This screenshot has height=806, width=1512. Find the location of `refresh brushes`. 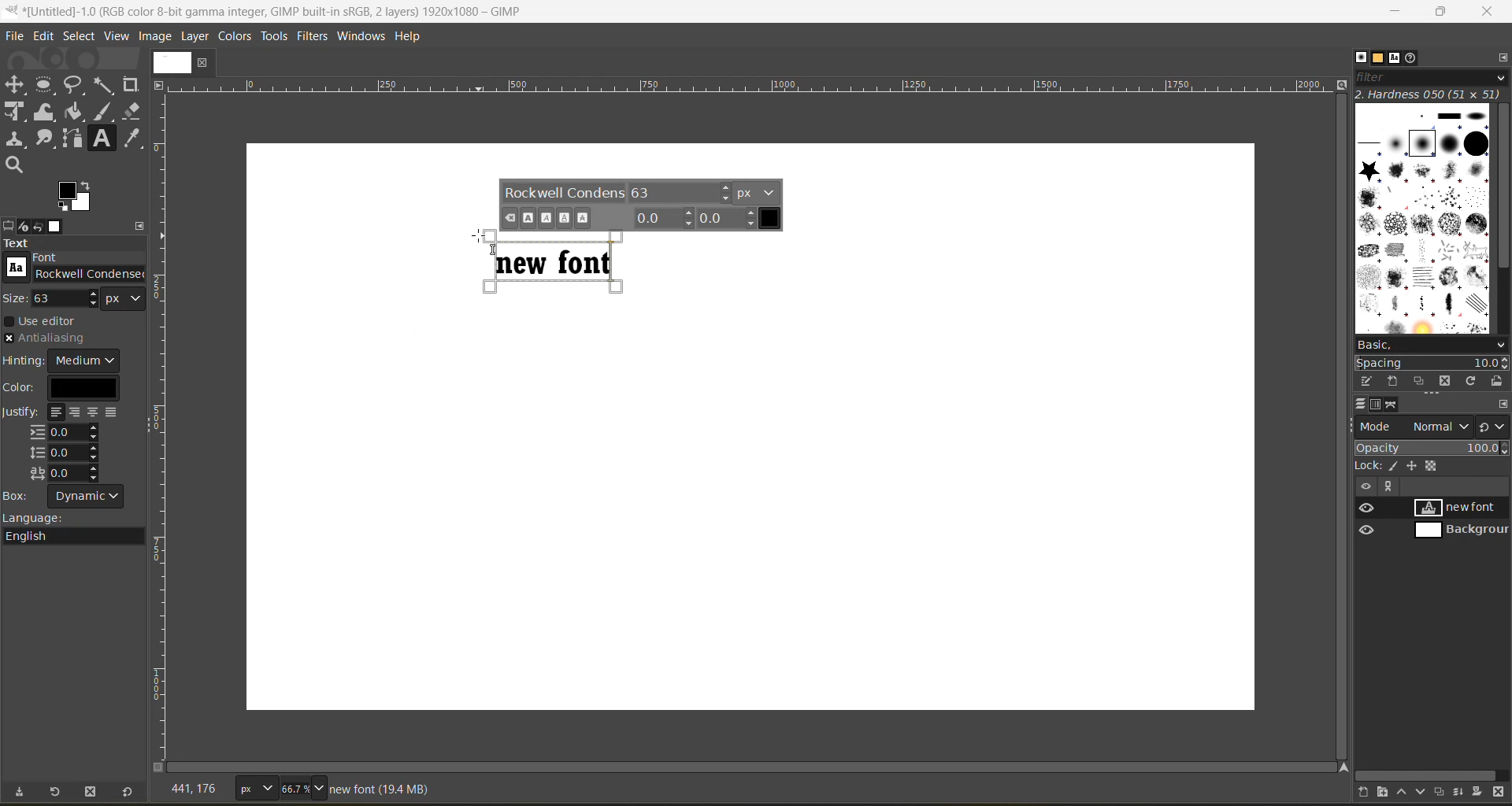

refresh brushes is located at coordinates (1469, 382).